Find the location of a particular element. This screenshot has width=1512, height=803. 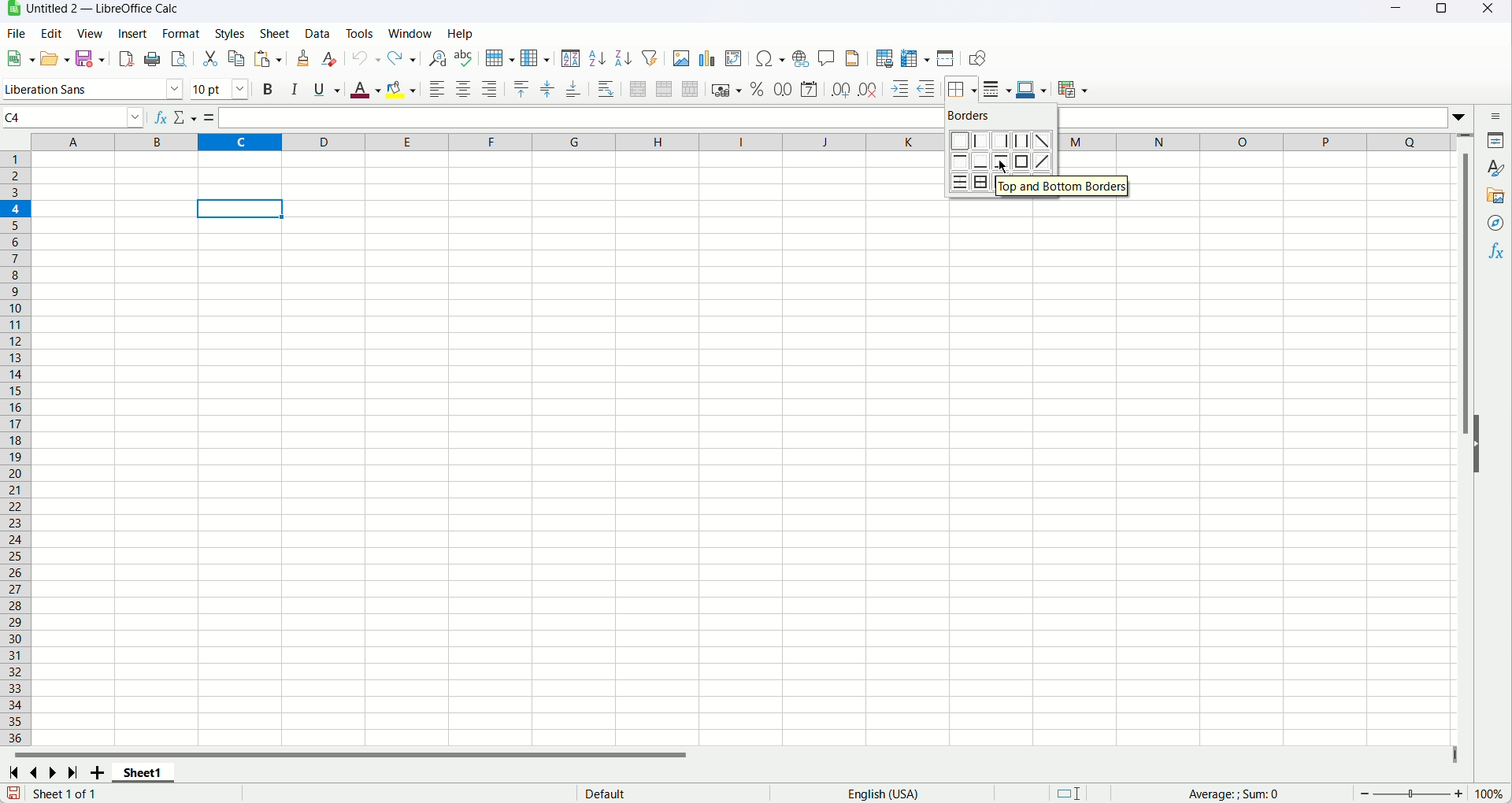

Italic is located at coordinates (295, 90).